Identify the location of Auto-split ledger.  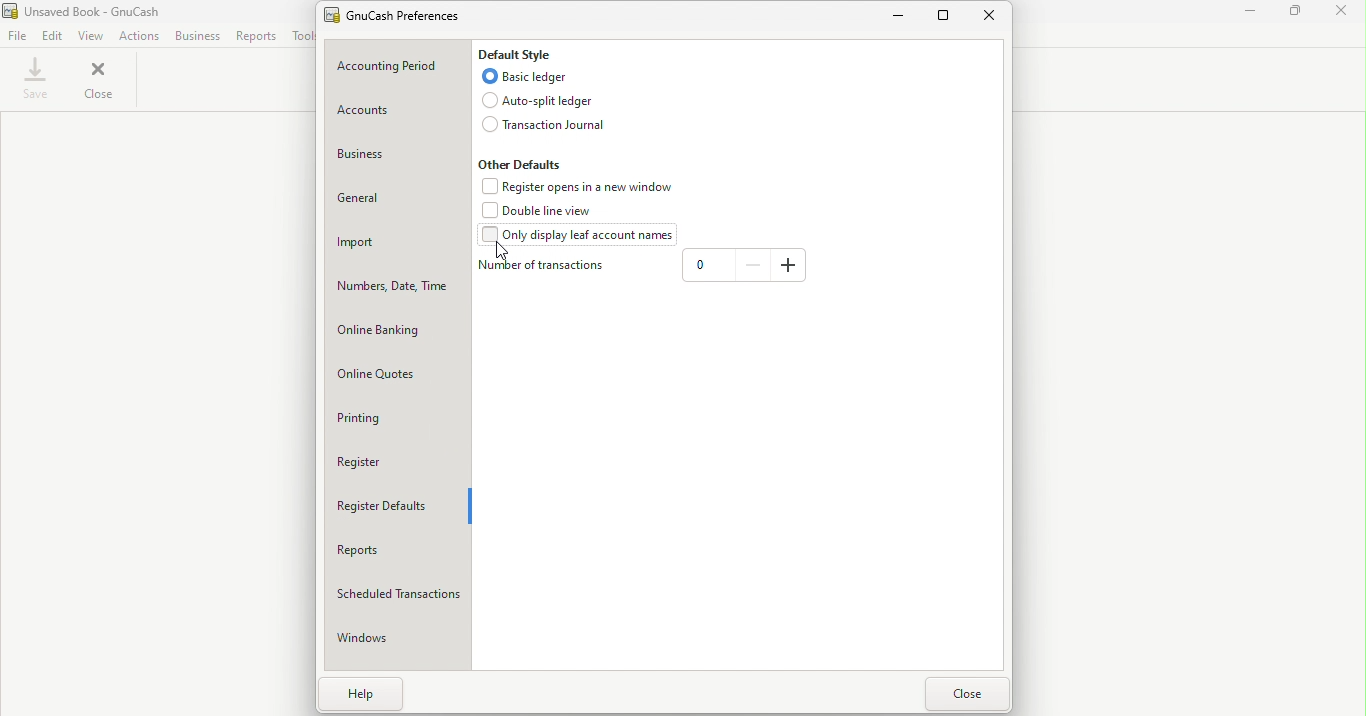
(545, 100).